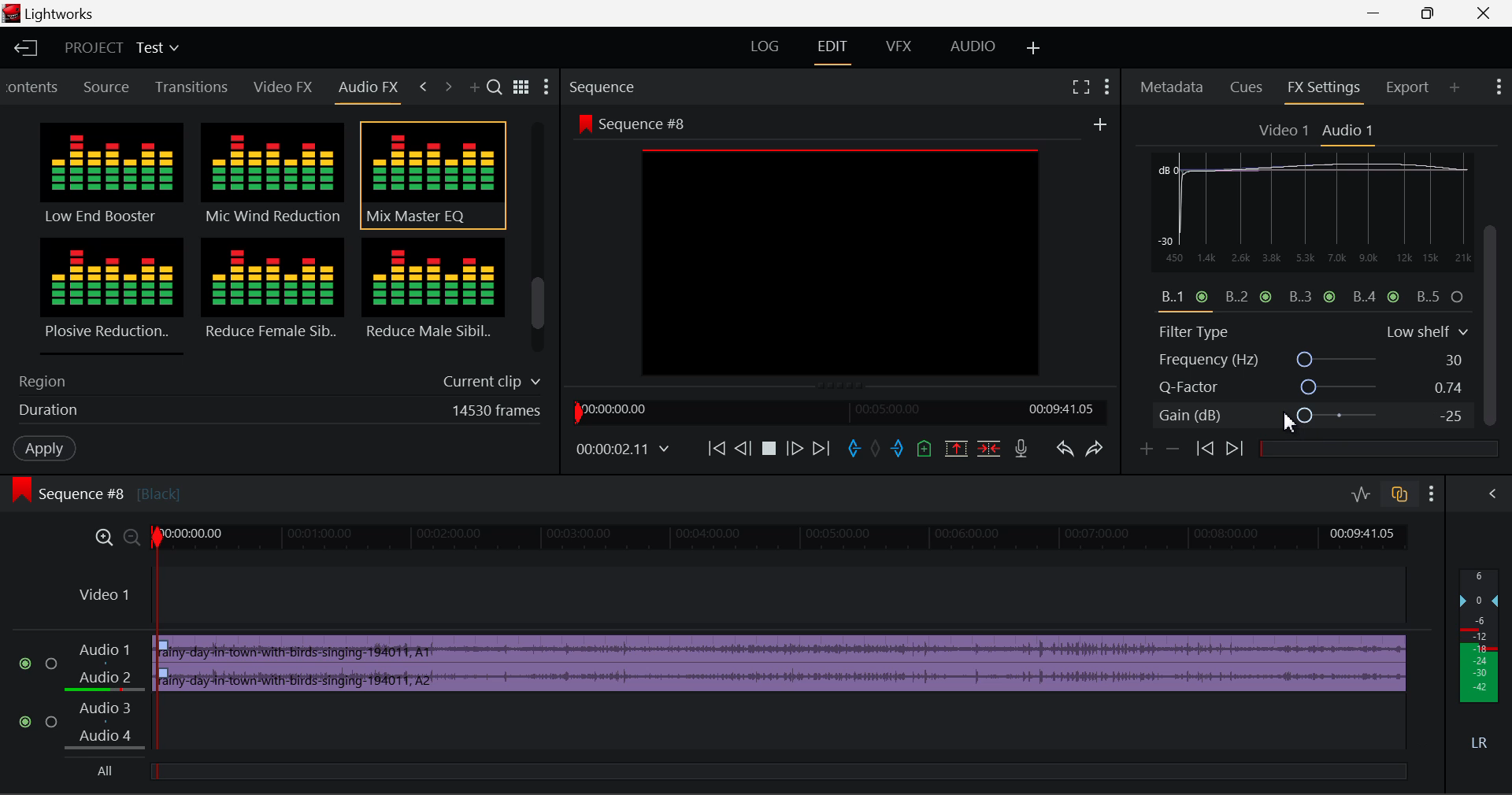  What do you see at coordinates (857, 449) in the screenshot?
I see `Mark In` at bounding box center [857, 449].